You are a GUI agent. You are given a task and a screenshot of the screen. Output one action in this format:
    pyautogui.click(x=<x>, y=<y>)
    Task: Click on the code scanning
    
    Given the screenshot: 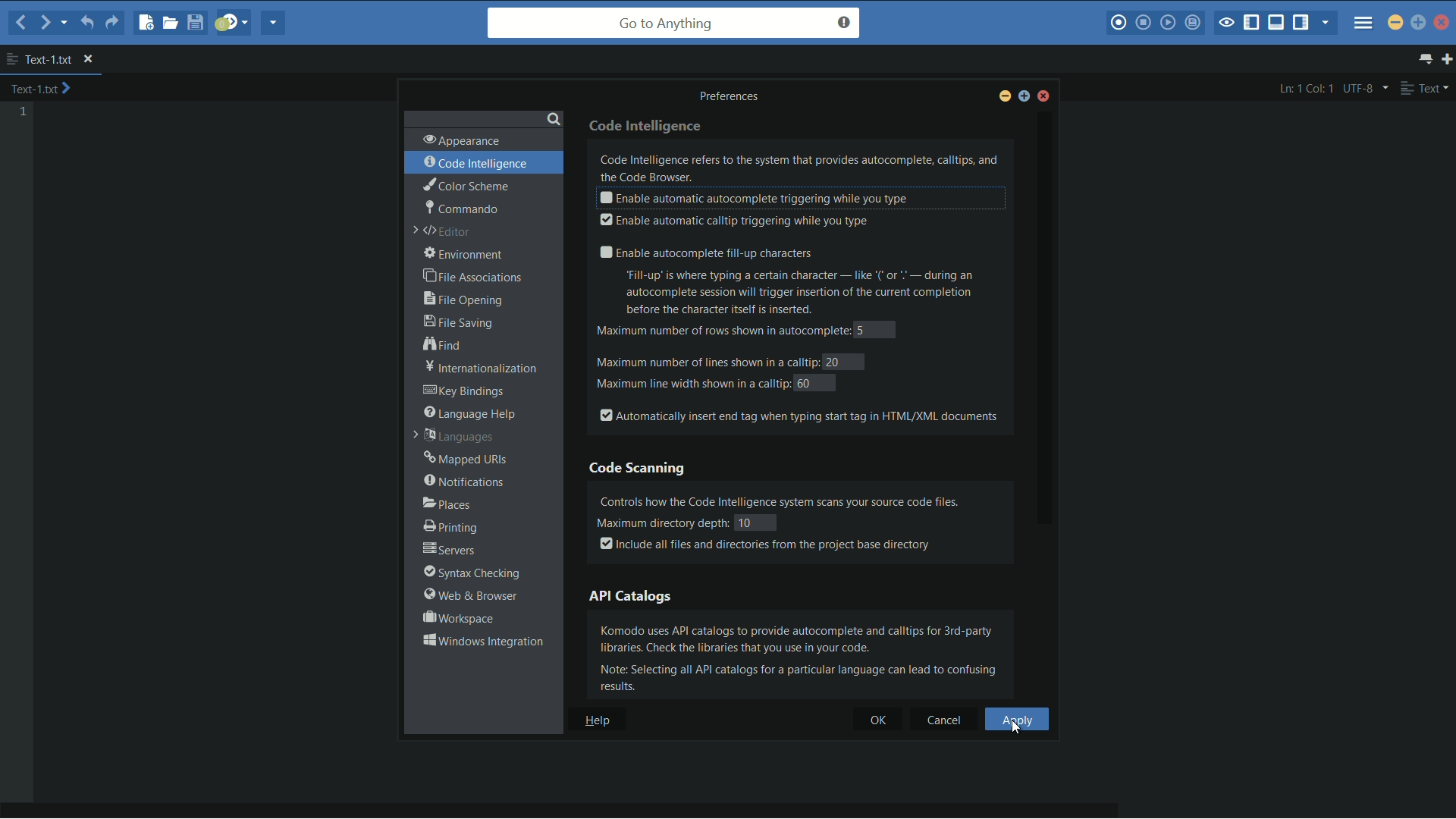 What is the action you would take?
    pyautogui.click(x=639, y=469)
    